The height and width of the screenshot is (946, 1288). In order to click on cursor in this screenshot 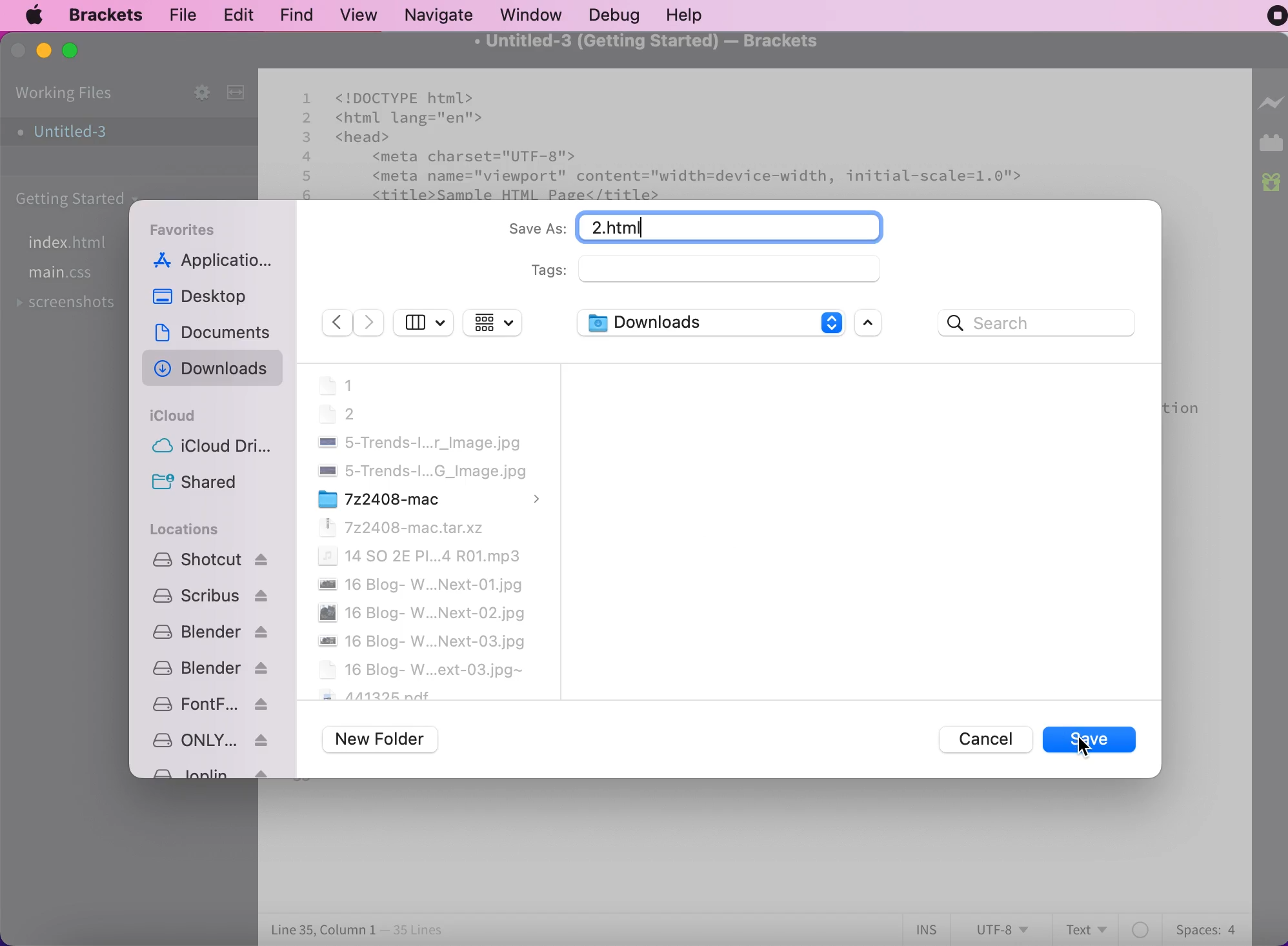, I will do `click(1084, 747)`.